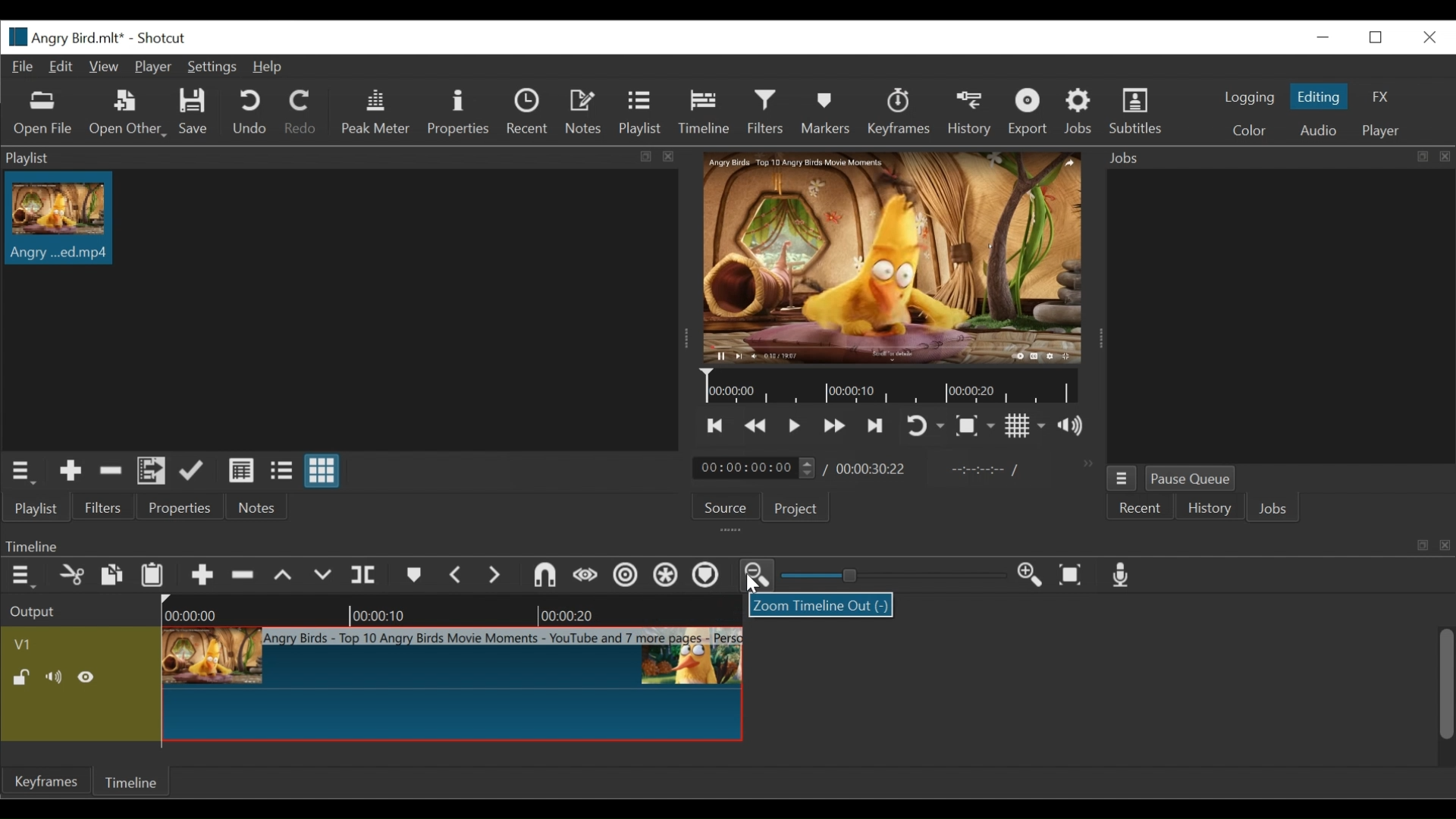  What do you see at coordinates (249, 112) in the screenshot?
I see `Undo` at bounding box center [249, 112].